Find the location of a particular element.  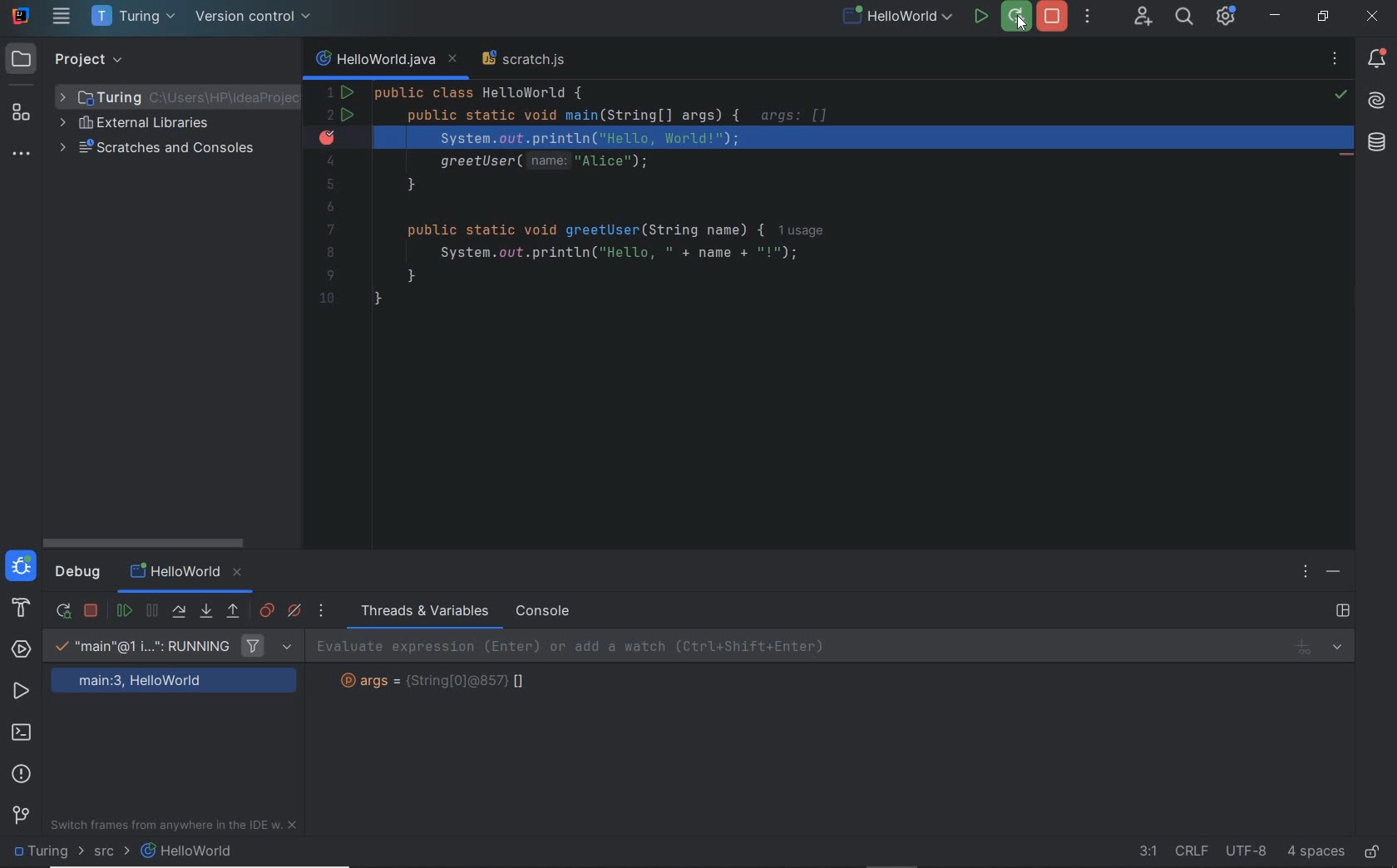

step over is located at coordinates (179, 611).